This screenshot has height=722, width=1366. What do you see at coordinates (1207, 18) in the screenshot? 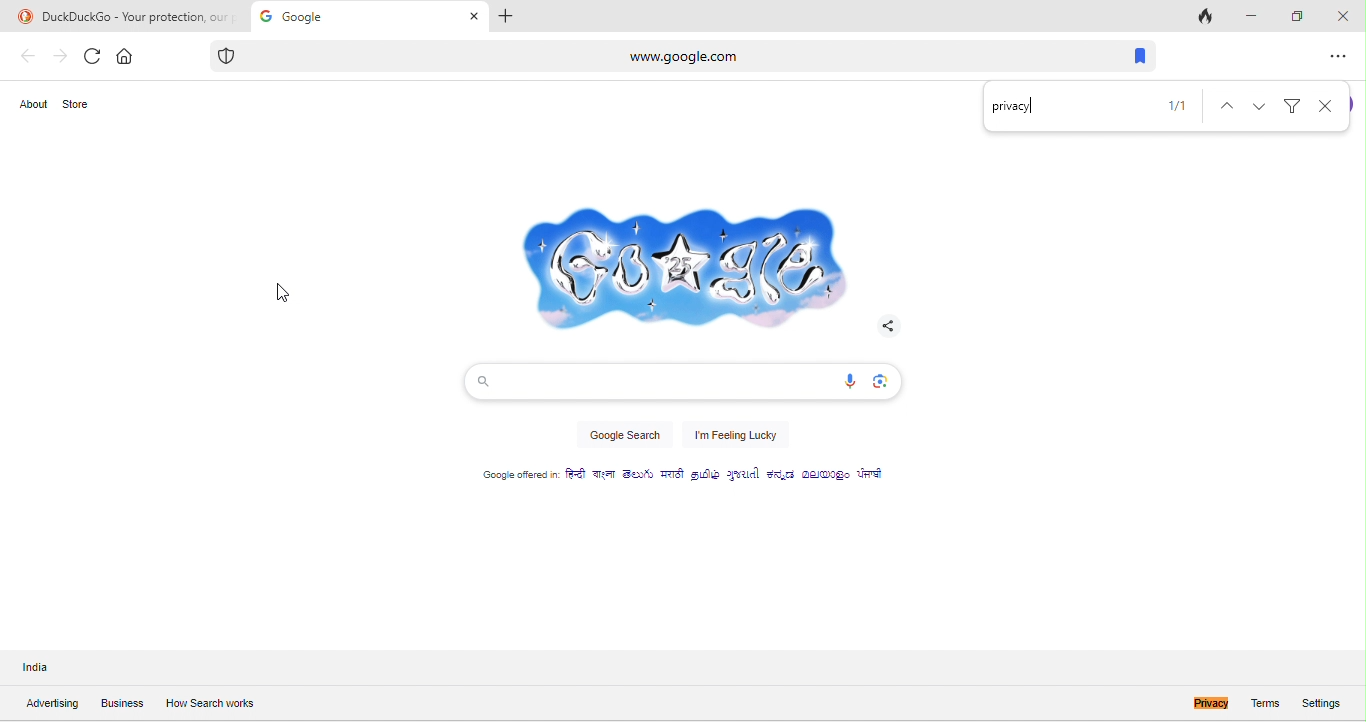
I see `track tab` at bounding box center [1207, 18].